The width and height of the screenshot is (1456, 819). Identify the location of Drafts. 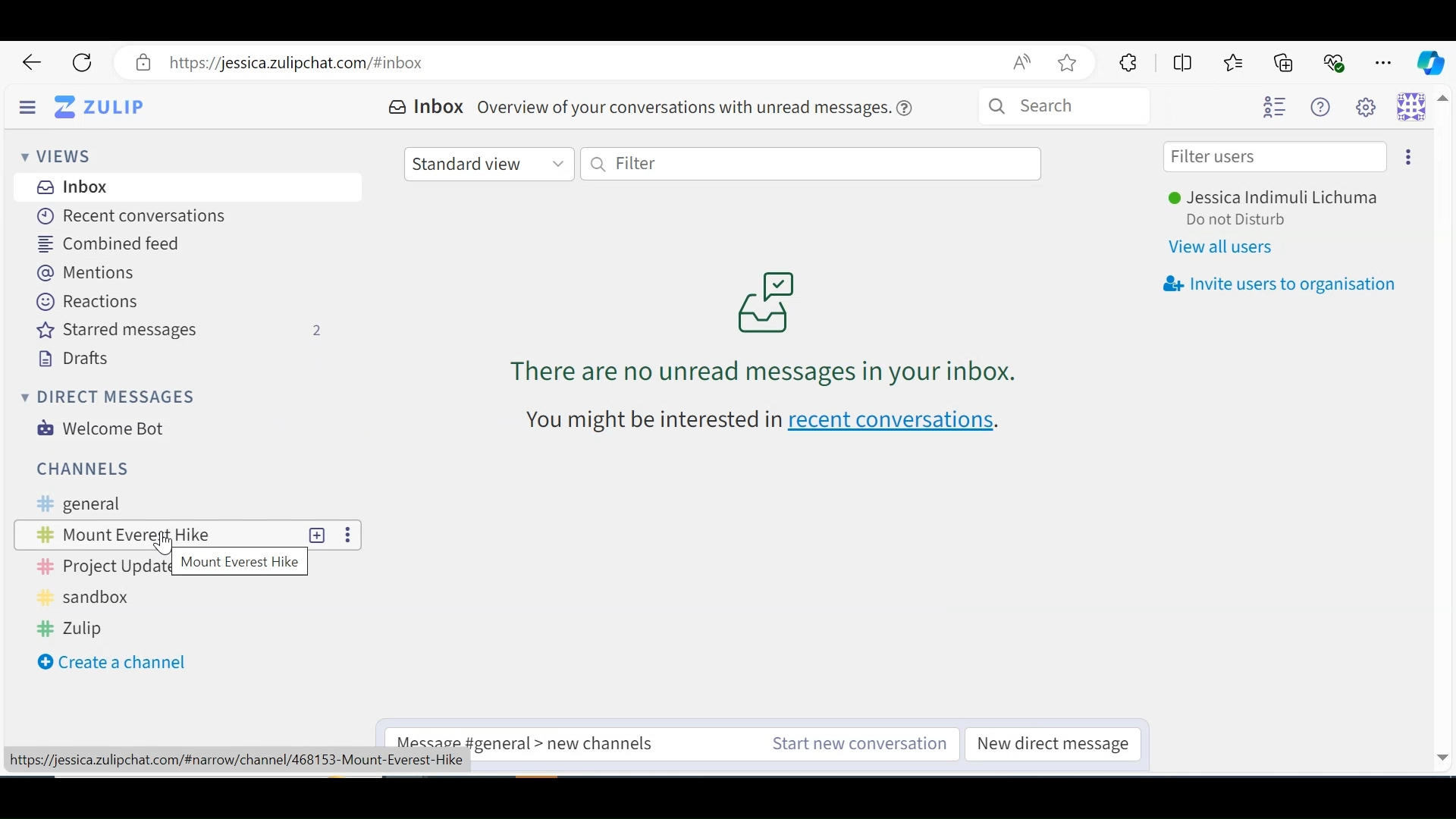
(74, 359).